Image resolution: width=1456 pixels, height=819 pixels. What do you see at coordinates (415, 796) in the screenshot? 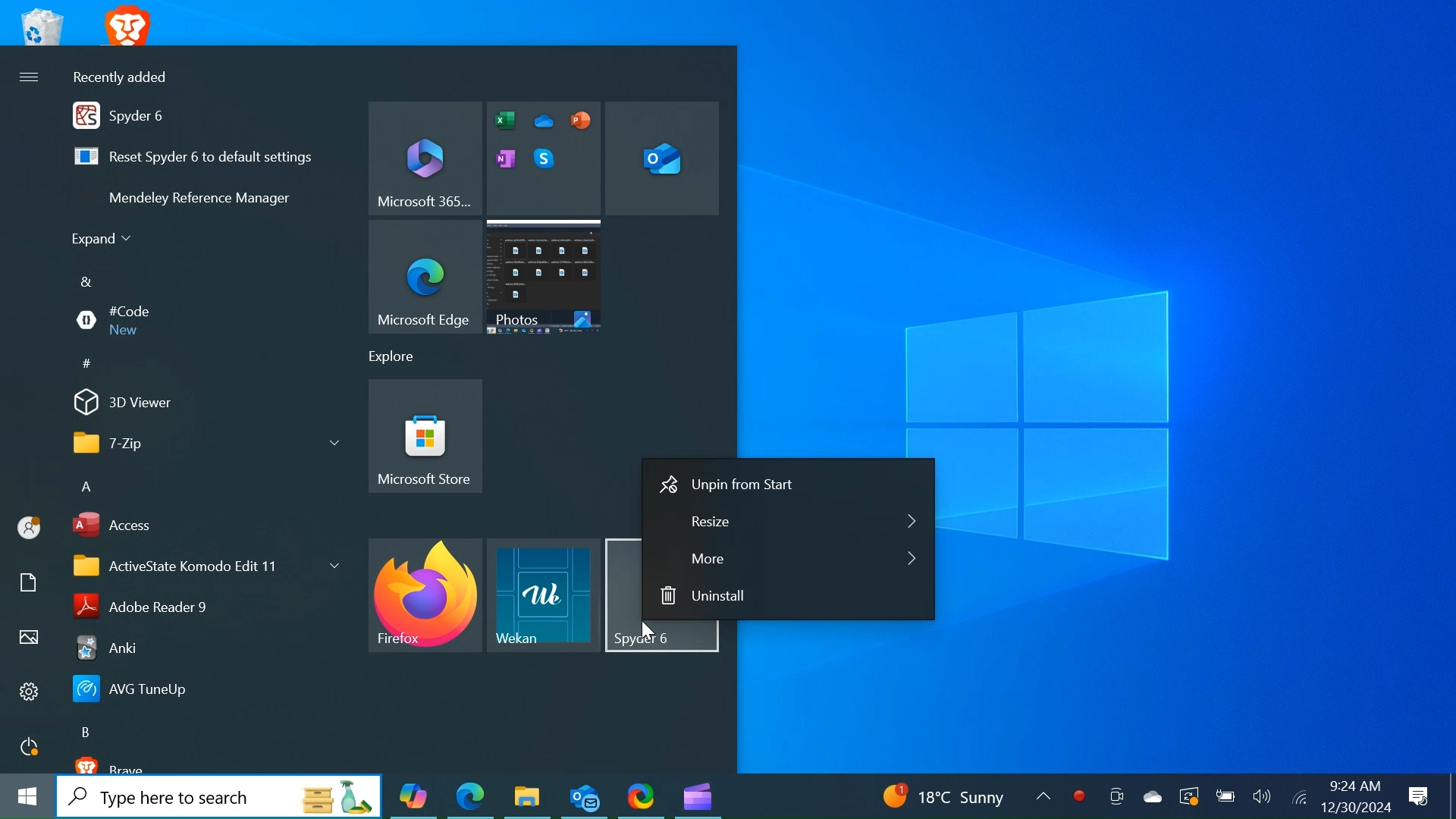
I see `Copilot` at bounding box center [415, 796].